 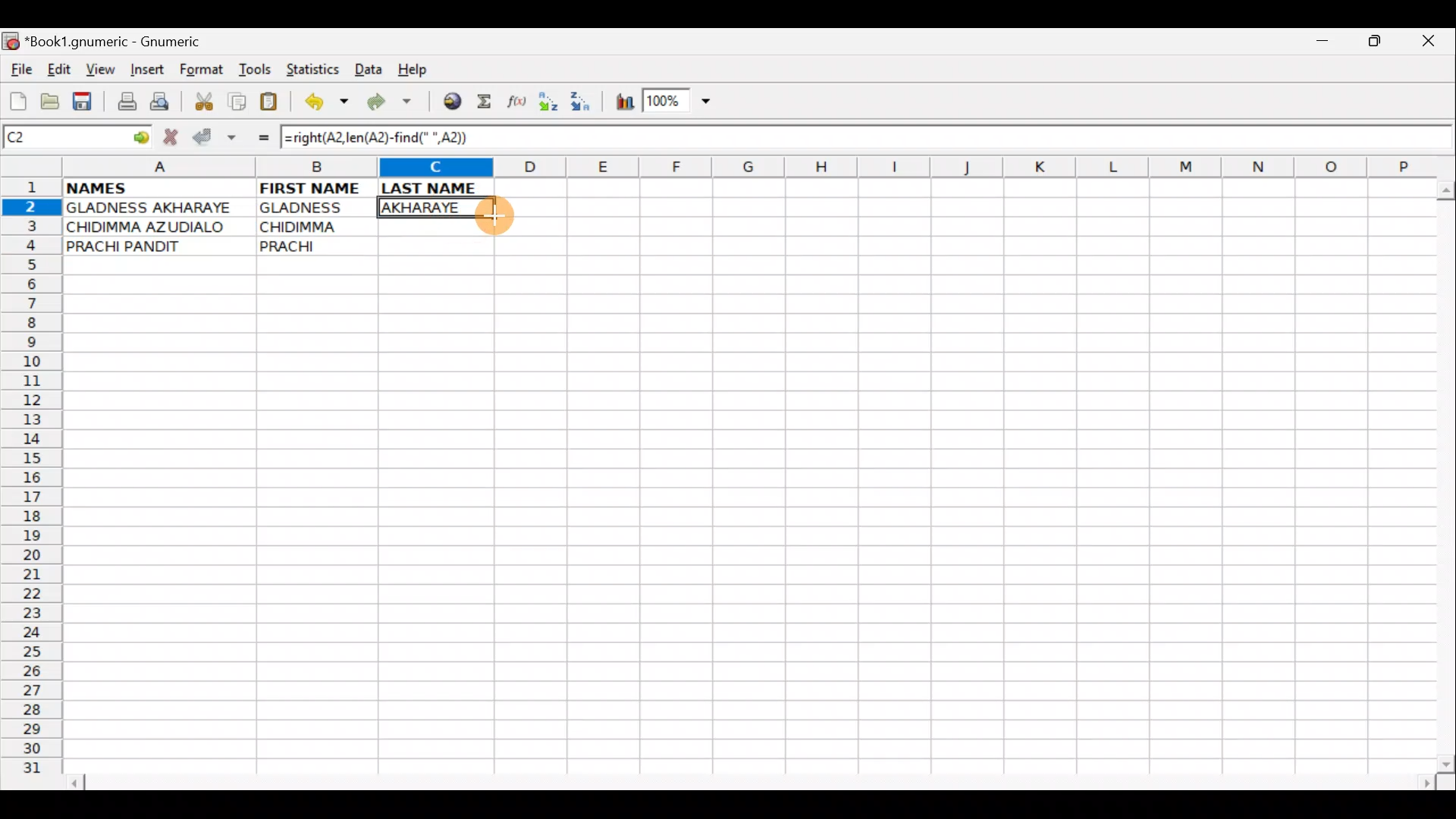 I want to click on Insert Chart, so click(x=620, y=104).